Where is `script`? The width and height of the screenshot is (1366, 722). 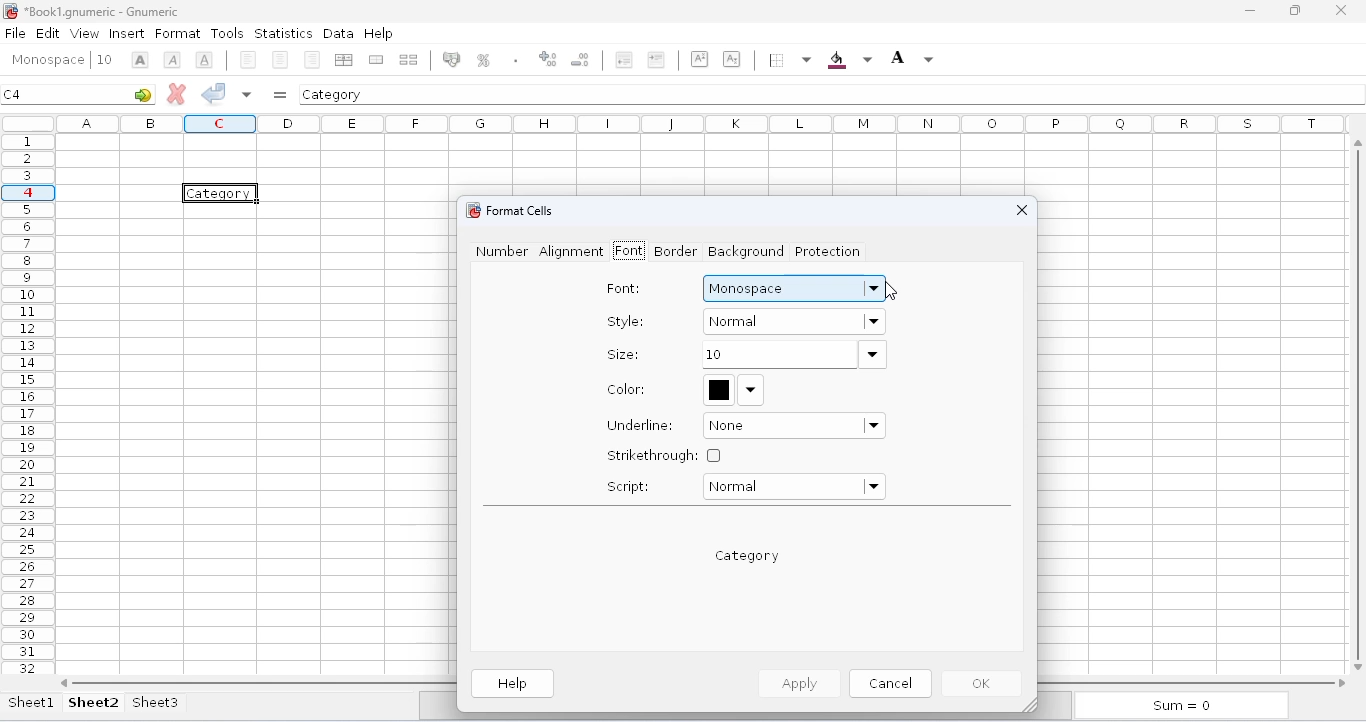 script is located at coordinates (628, 486).